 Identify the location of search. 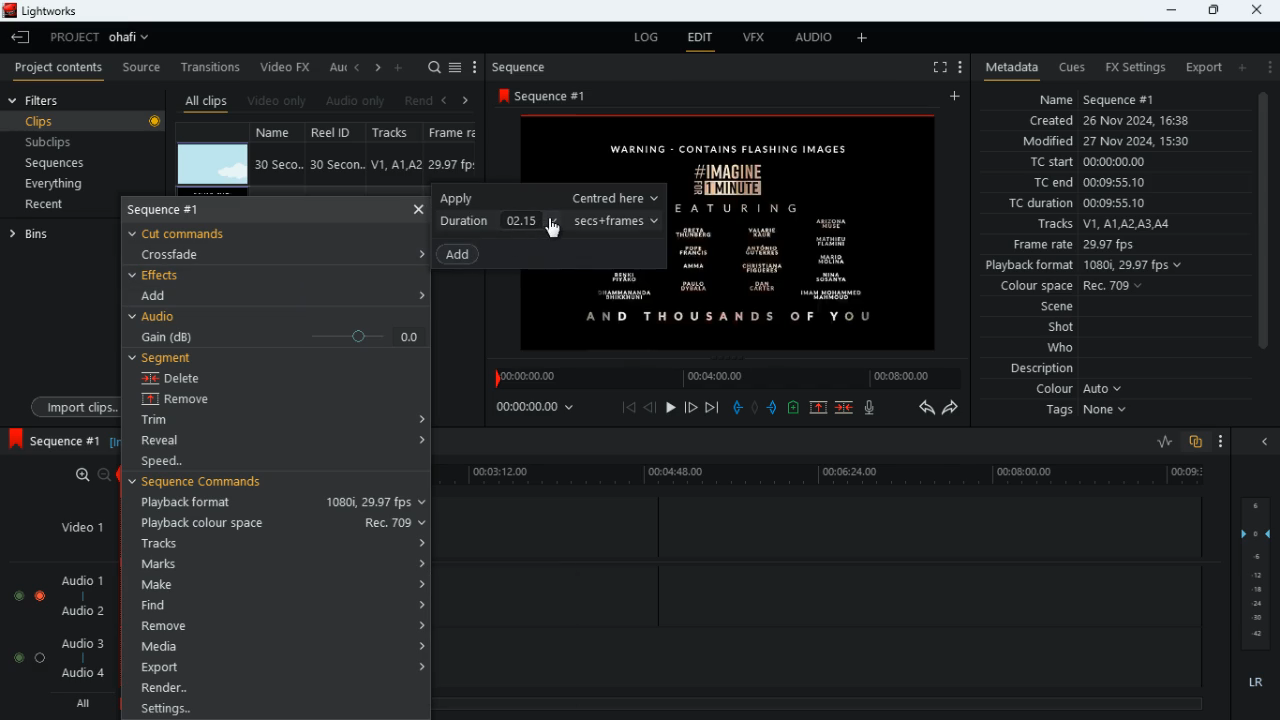
(434, 68).